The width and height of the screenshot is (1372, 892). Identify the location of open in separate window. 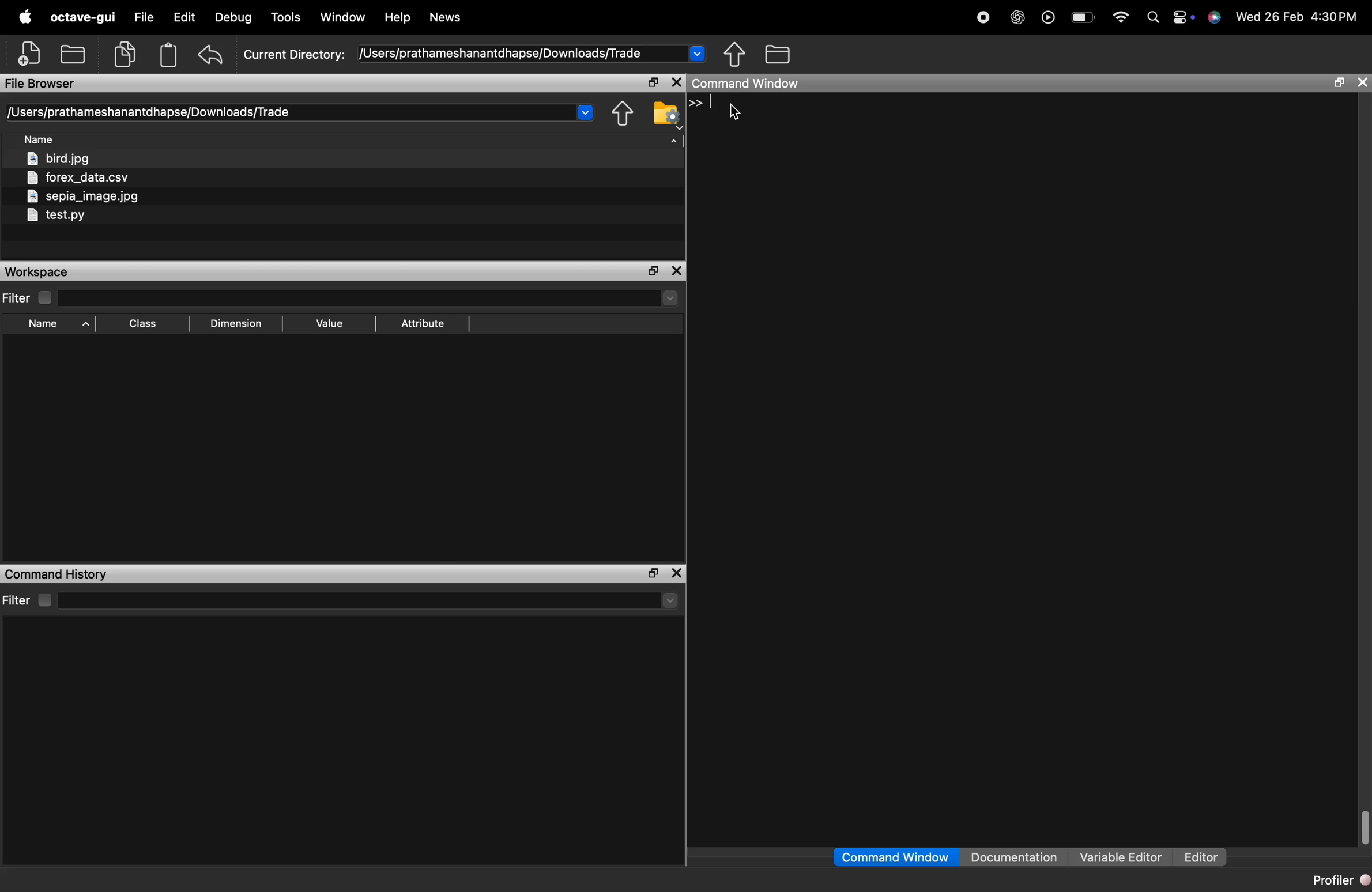
(653, 573).